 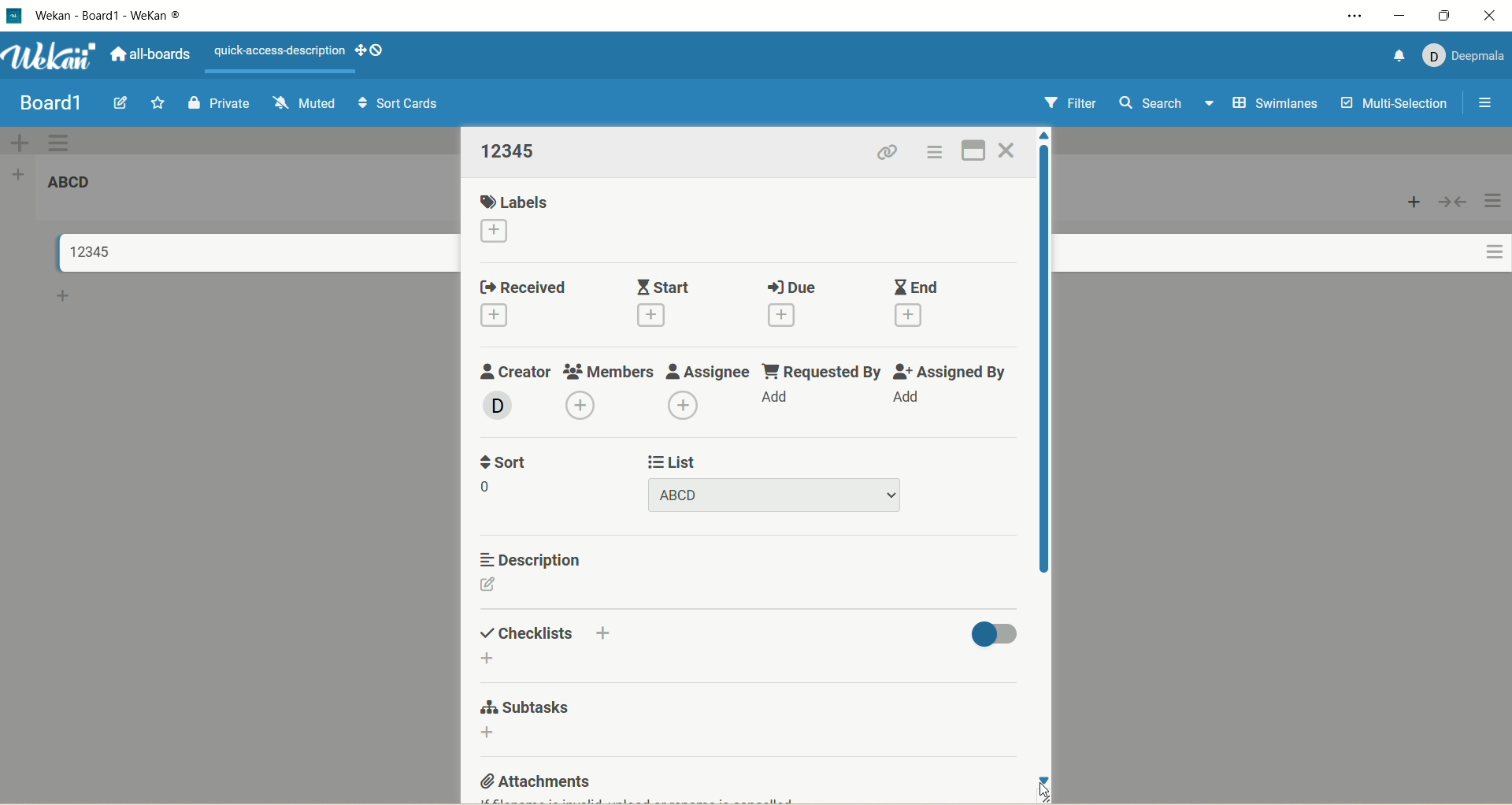 I want to click on actions, so click(x=1488, y=239).